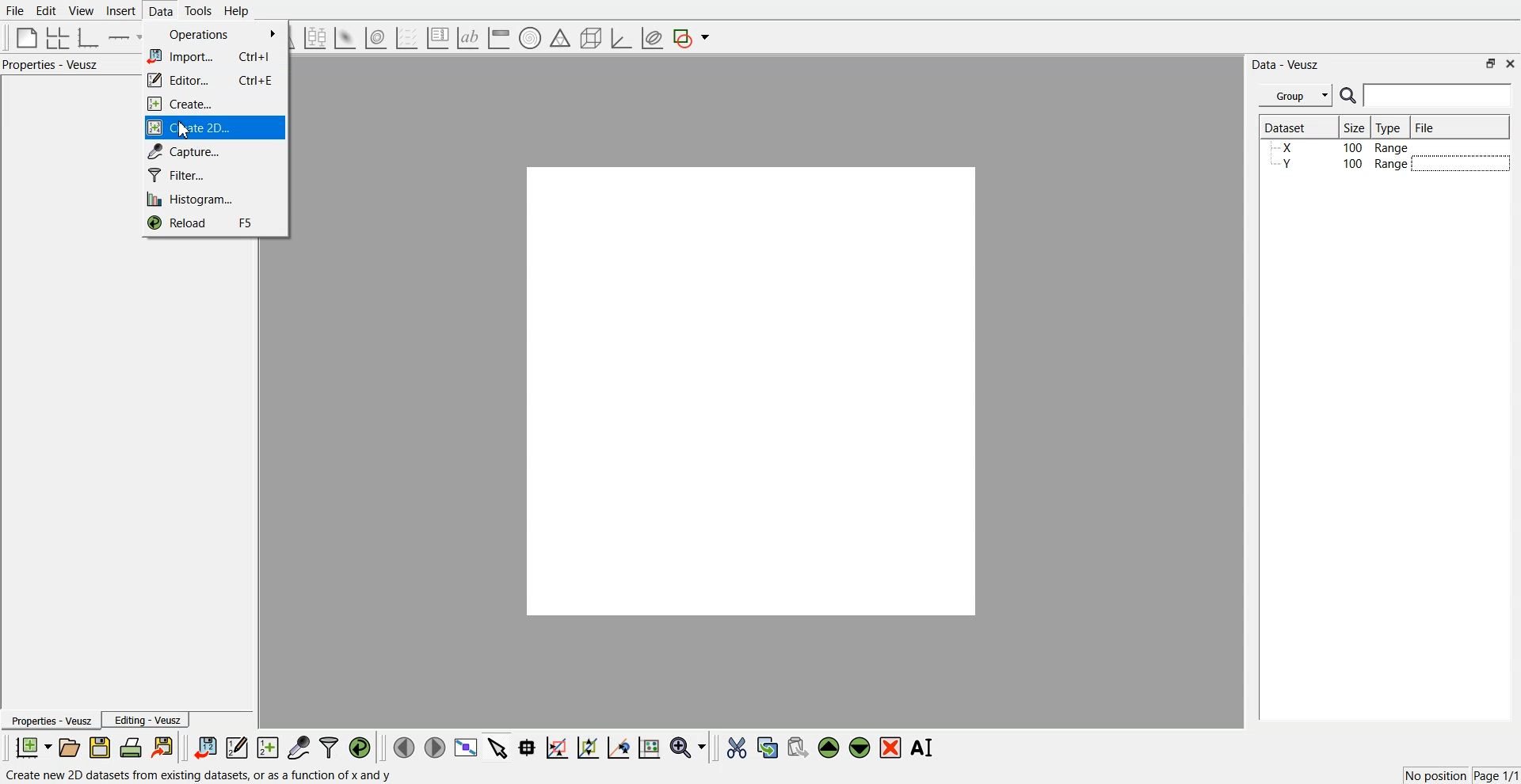 Image resolution: width=1521 pixels, height=784 pixels. What do you see at coordinates (345, 38) in the screenshot?
I see `3D Surface` at bounding box center [345, 38].